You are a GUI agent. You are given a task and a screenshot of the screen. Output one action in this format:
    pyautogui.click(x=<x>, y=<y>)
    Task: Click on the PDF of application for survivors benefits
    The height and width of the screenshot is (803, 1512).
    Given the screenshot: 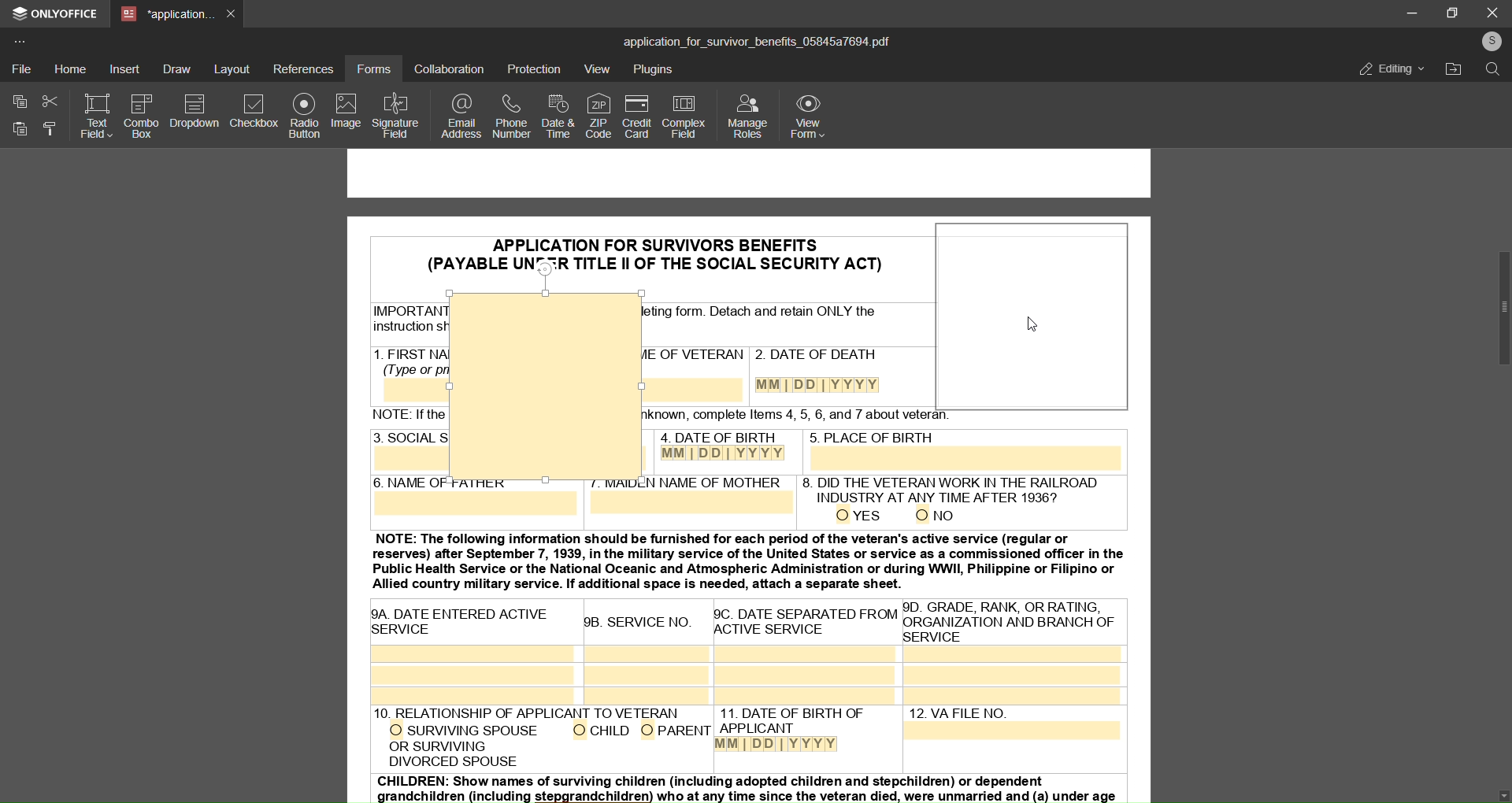 What is the action you would take?
    pyautogui.click(x=750, y=649)
    